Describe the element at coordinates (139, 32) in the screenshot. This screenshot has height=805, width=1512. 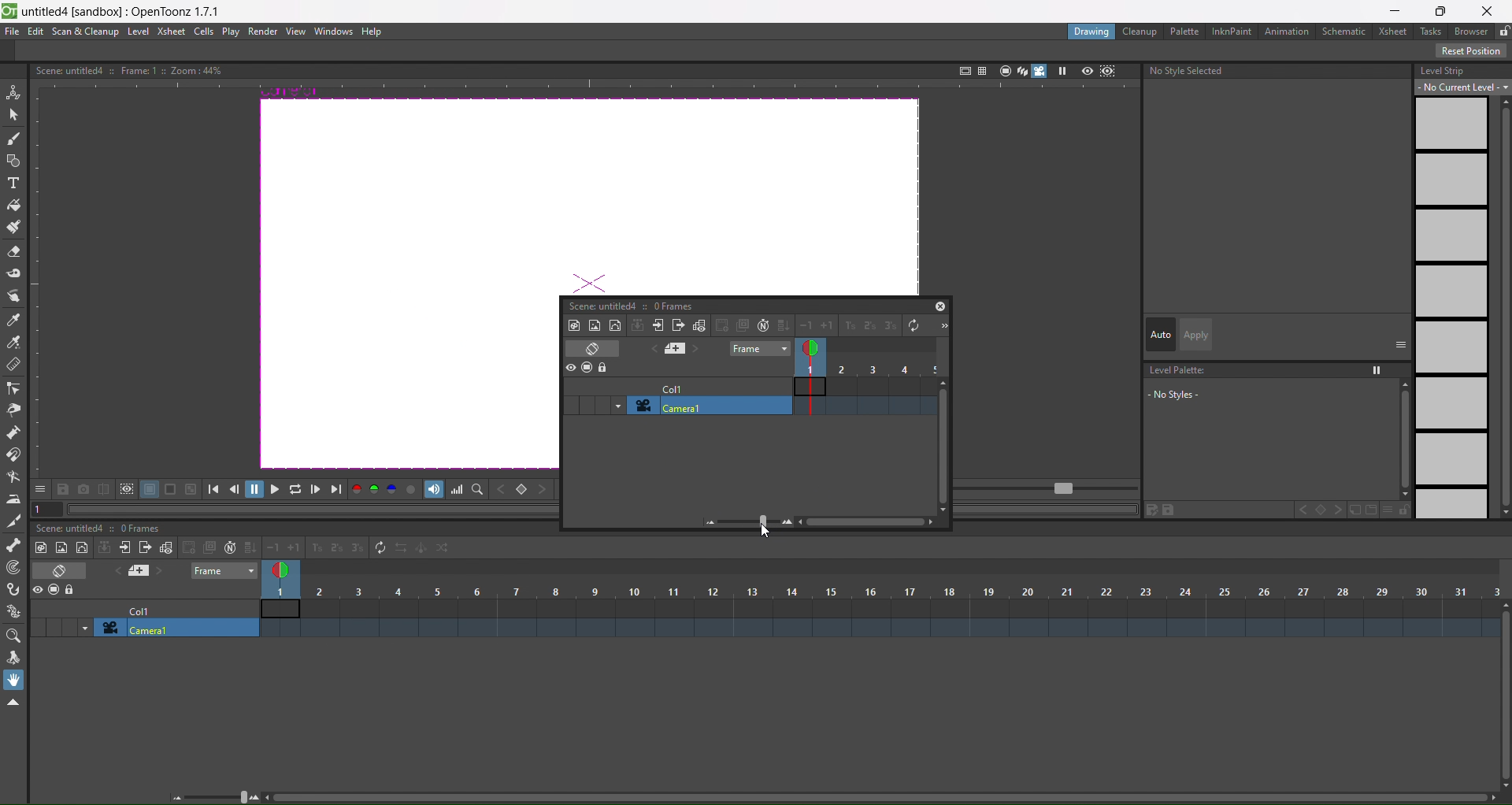
I see `level` at that location.